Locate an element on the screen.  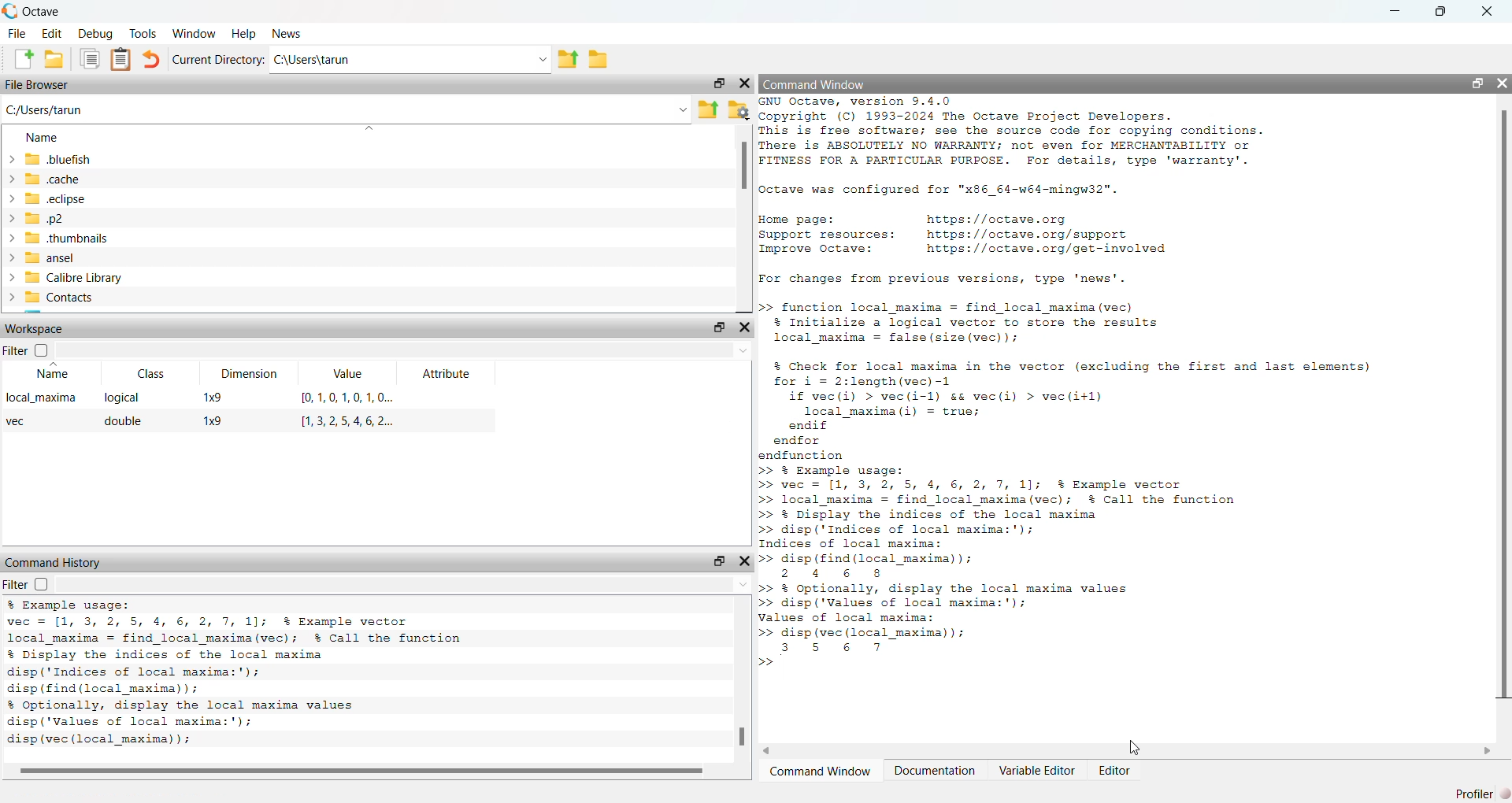
.thumbnails is located at coordinates (66, 237).